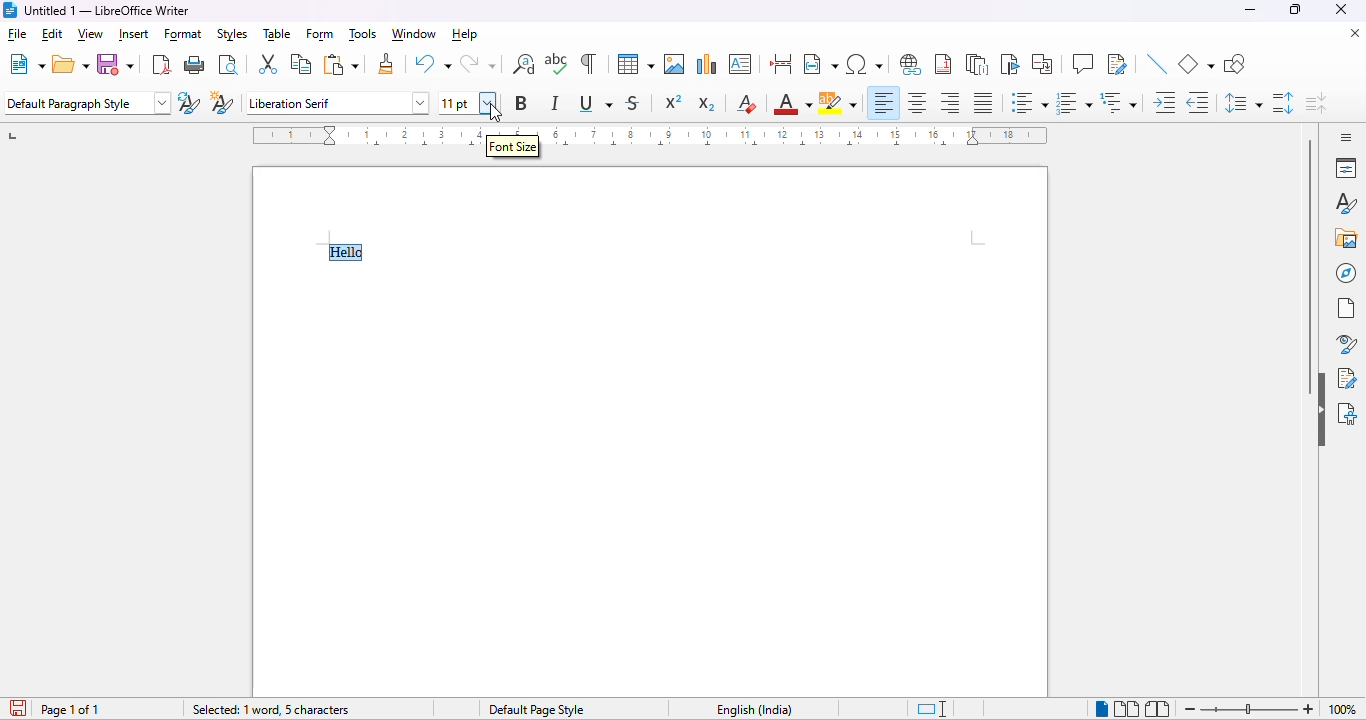 The image size is (1366, 720). What do you see at coordinates (756, 710) in the screenshot?
I see `English (India)` at bounding box center [756, 710].